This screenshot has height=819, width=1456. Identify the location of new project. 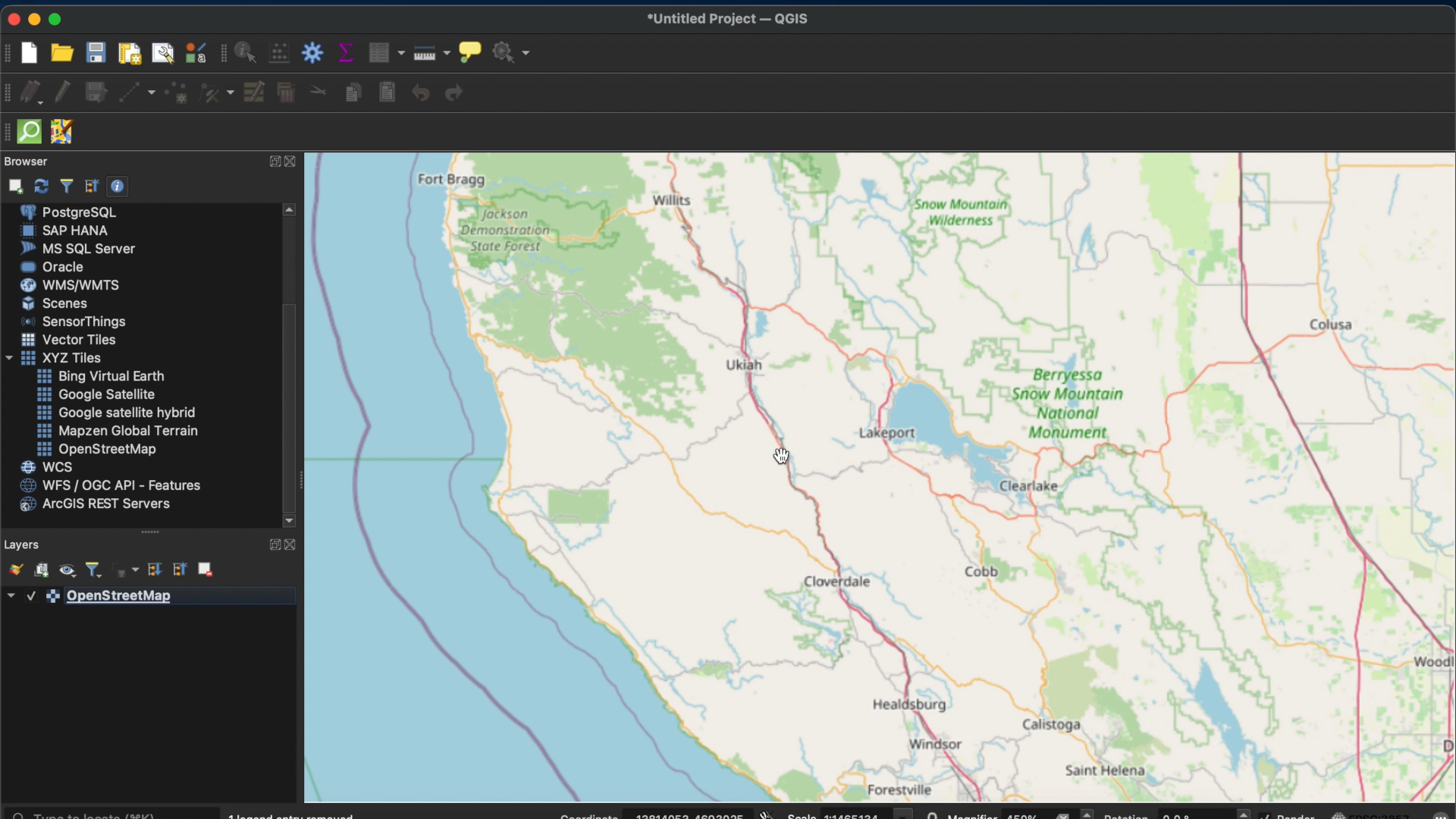
(33, 54).